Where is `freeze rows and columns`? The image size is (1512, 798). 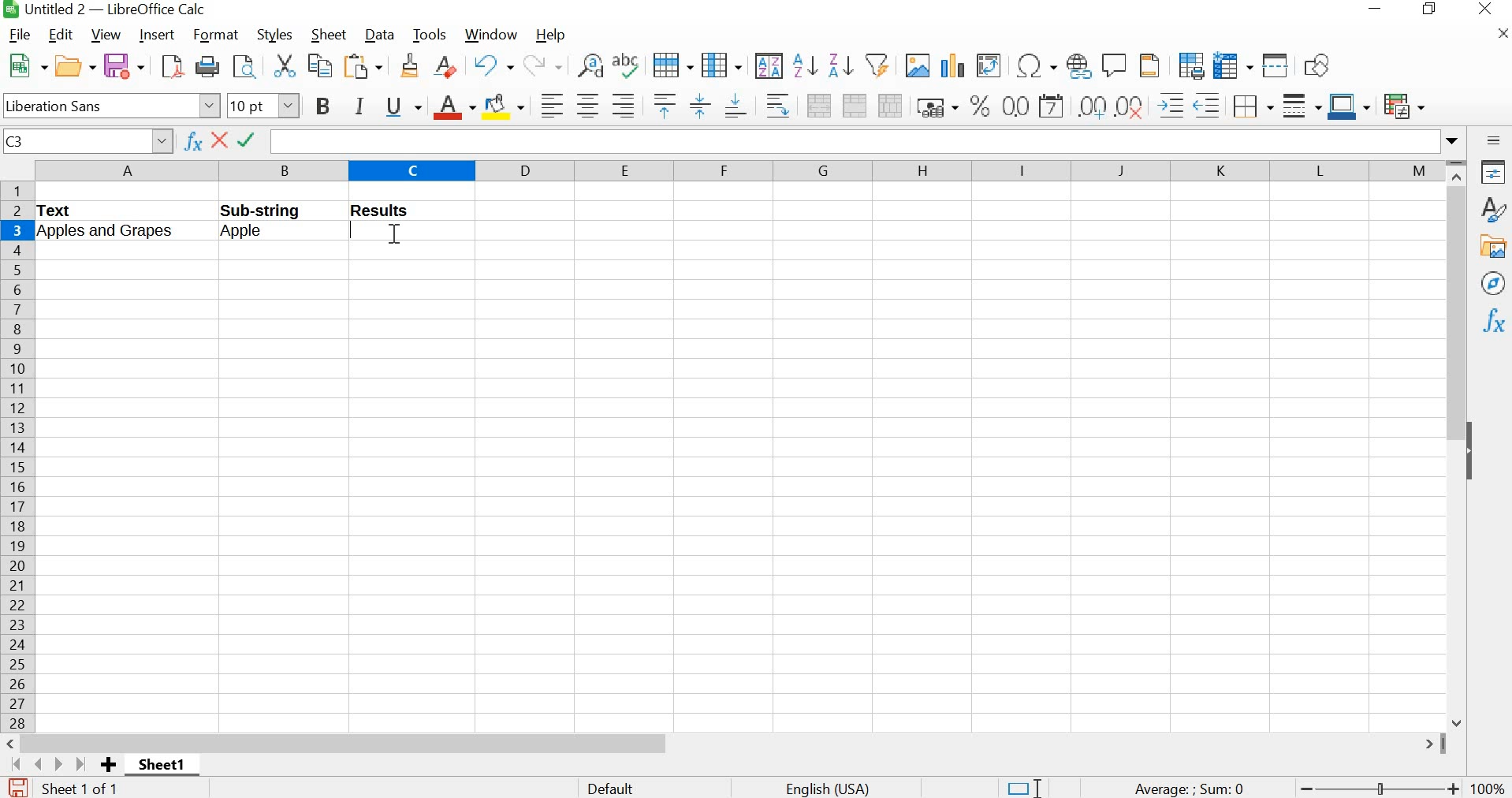 freeze rows and columns is located at coordinates (1232, 64).